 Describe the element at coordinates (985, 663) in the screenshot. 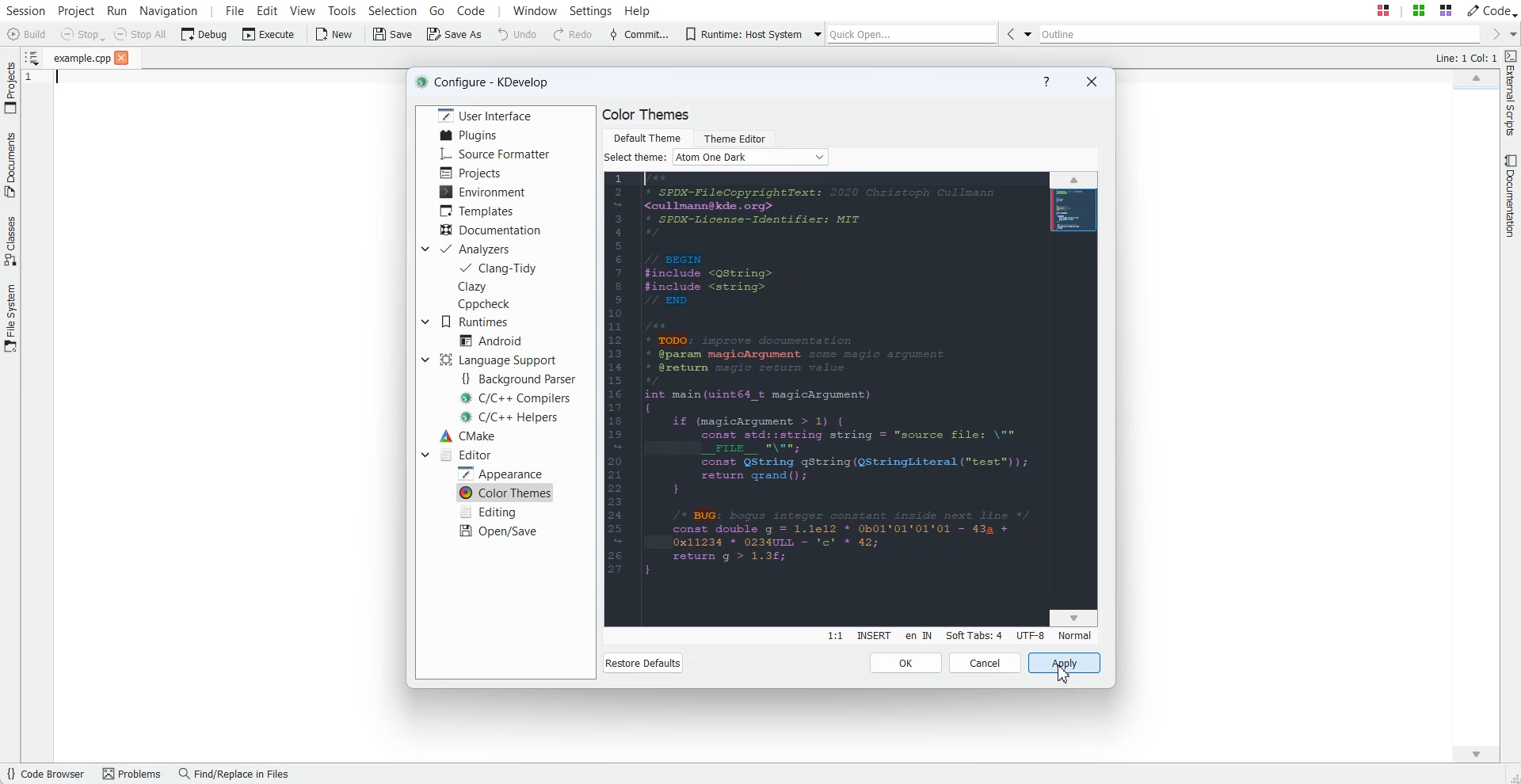

I see `Cancel` at that location.